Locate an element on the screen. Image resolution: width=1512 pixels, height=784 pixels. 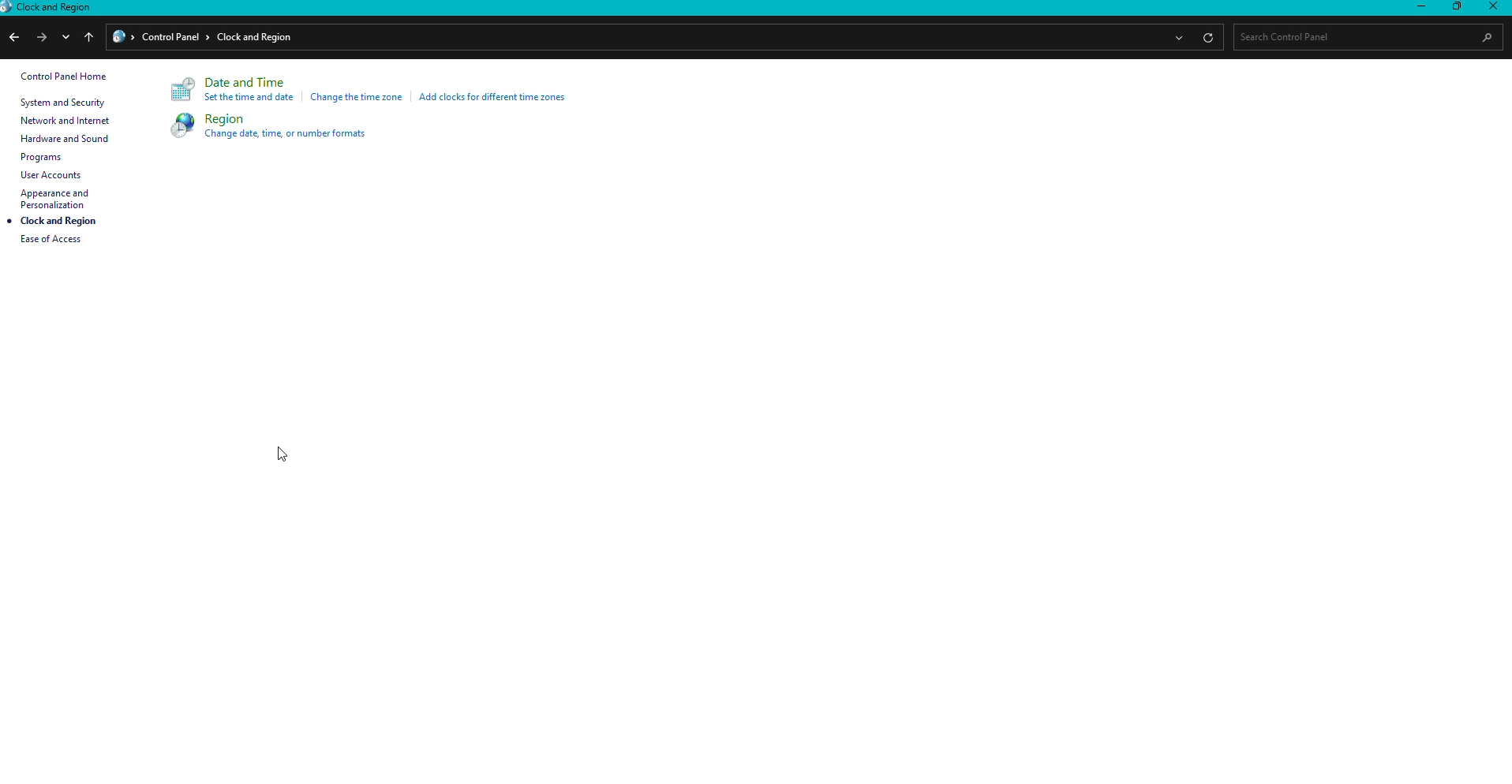
Cursor is located at coordinates (280, 455).